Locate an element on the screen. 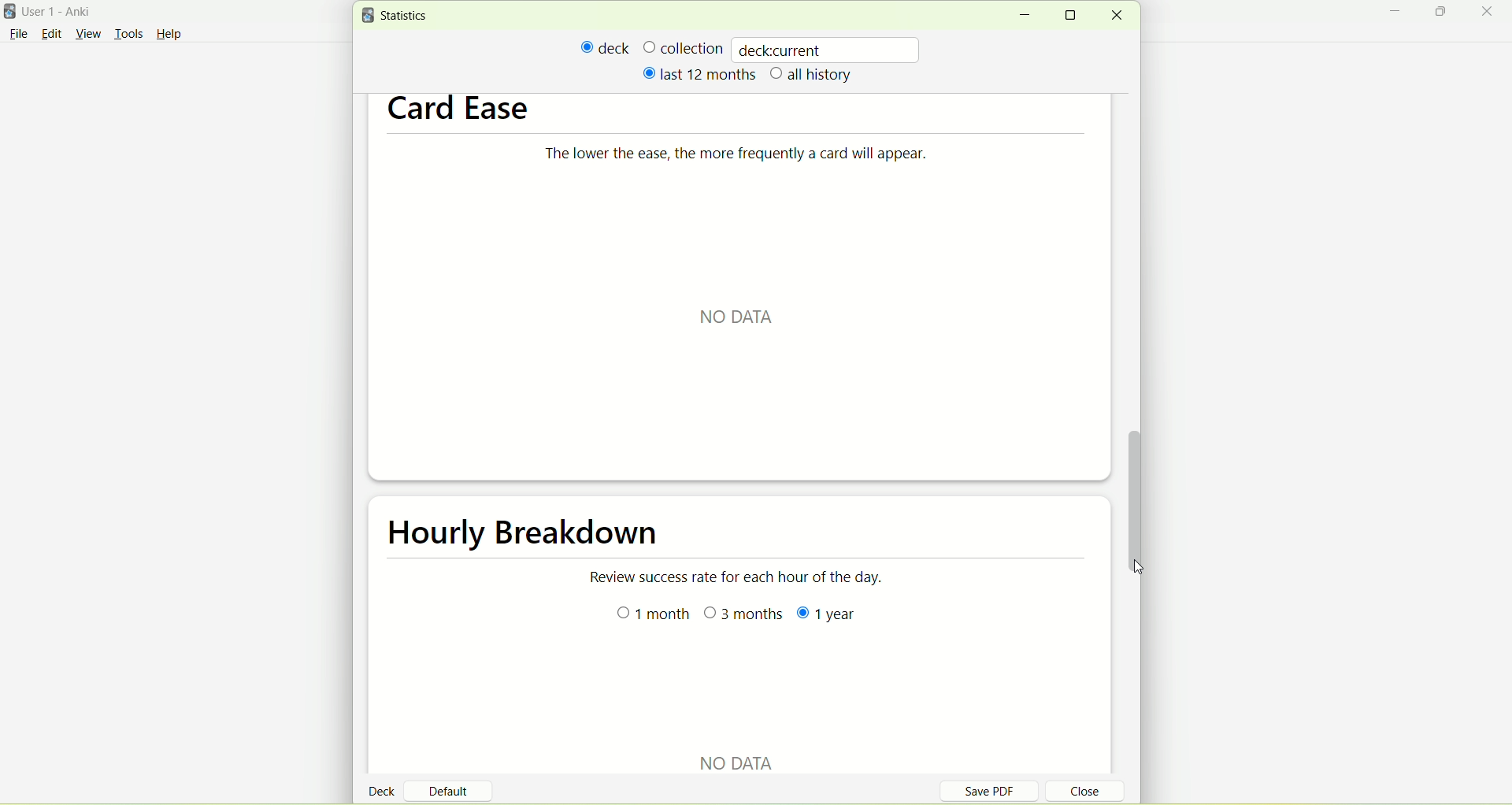  minimize is located at coordinates (1024, 16).